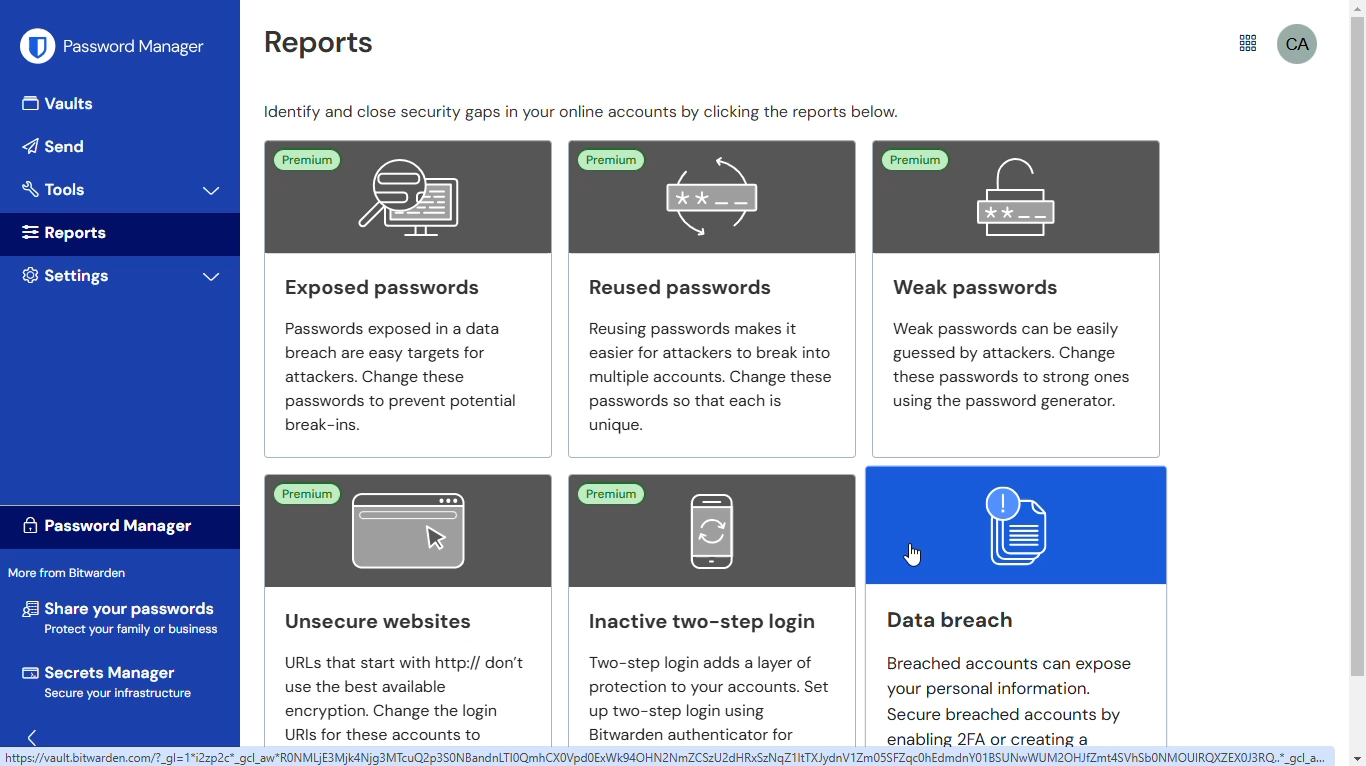  What do you see at coordinates (712, 195) in the screenshot?
I see `reused passwords` at bounding box center [712, 195].